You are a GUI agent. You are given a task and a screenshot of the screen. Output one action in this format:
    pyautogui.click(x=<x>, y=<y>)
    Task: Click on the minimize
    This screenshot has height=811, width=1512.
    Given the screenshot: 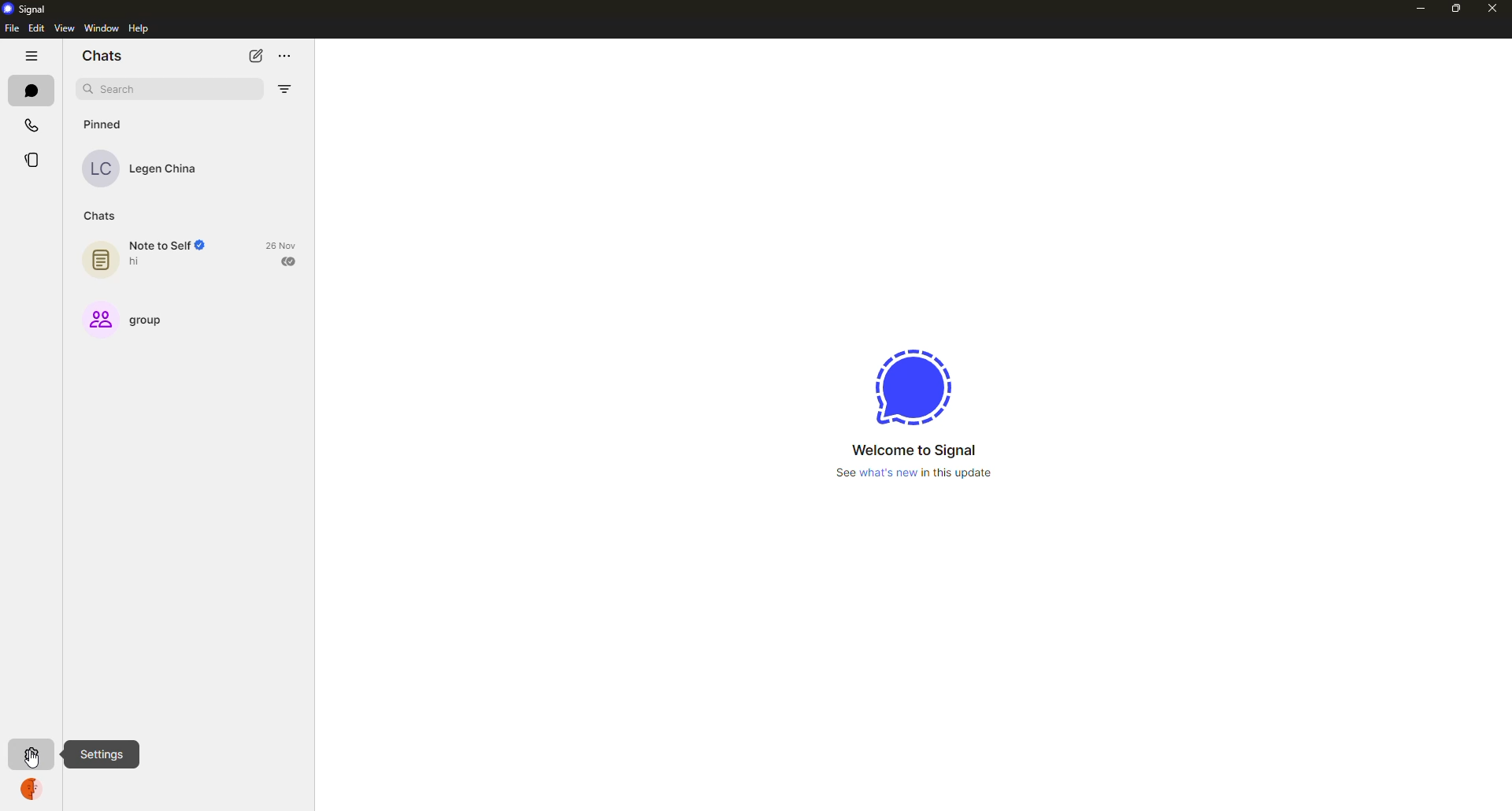 What is the action you would take?
    pyautogui.click(x=1418, y=7)
    